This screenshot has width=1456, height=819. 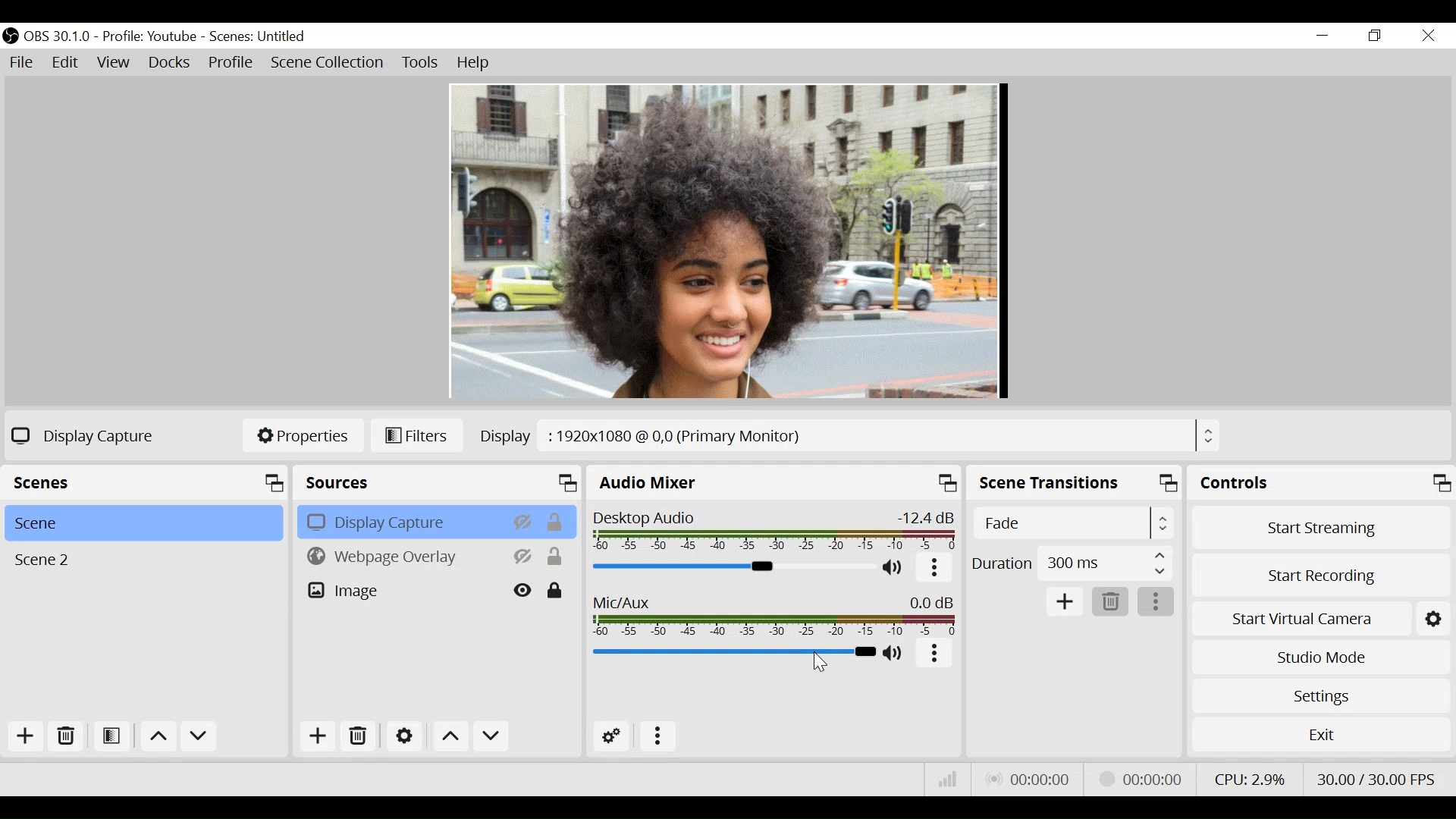 I want to click on View, so click(x=113, y=63).